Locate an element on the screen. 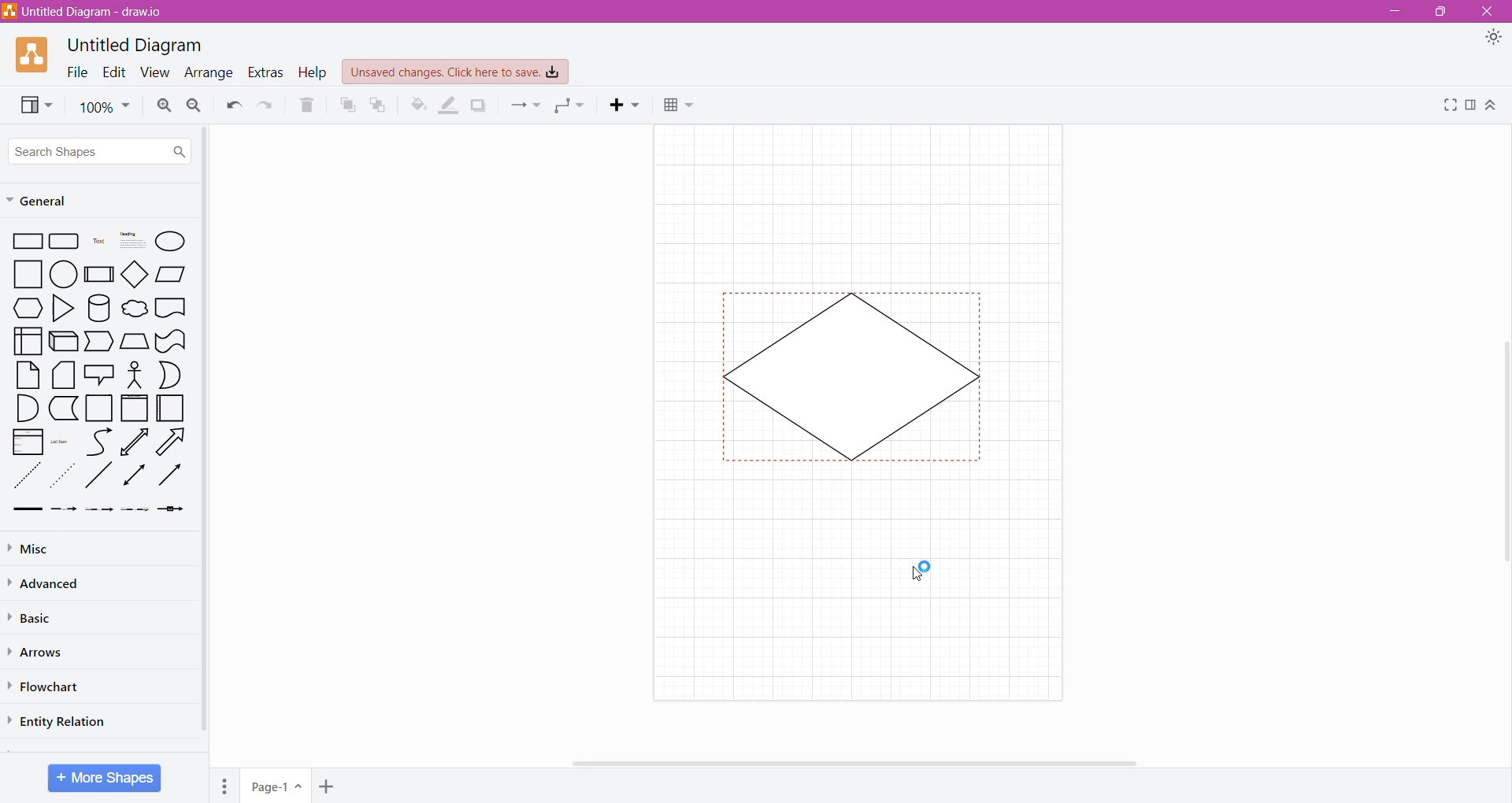 The width and height of the screenshot is (1512, 803). Appearance is located at coordinates (1493, 37).